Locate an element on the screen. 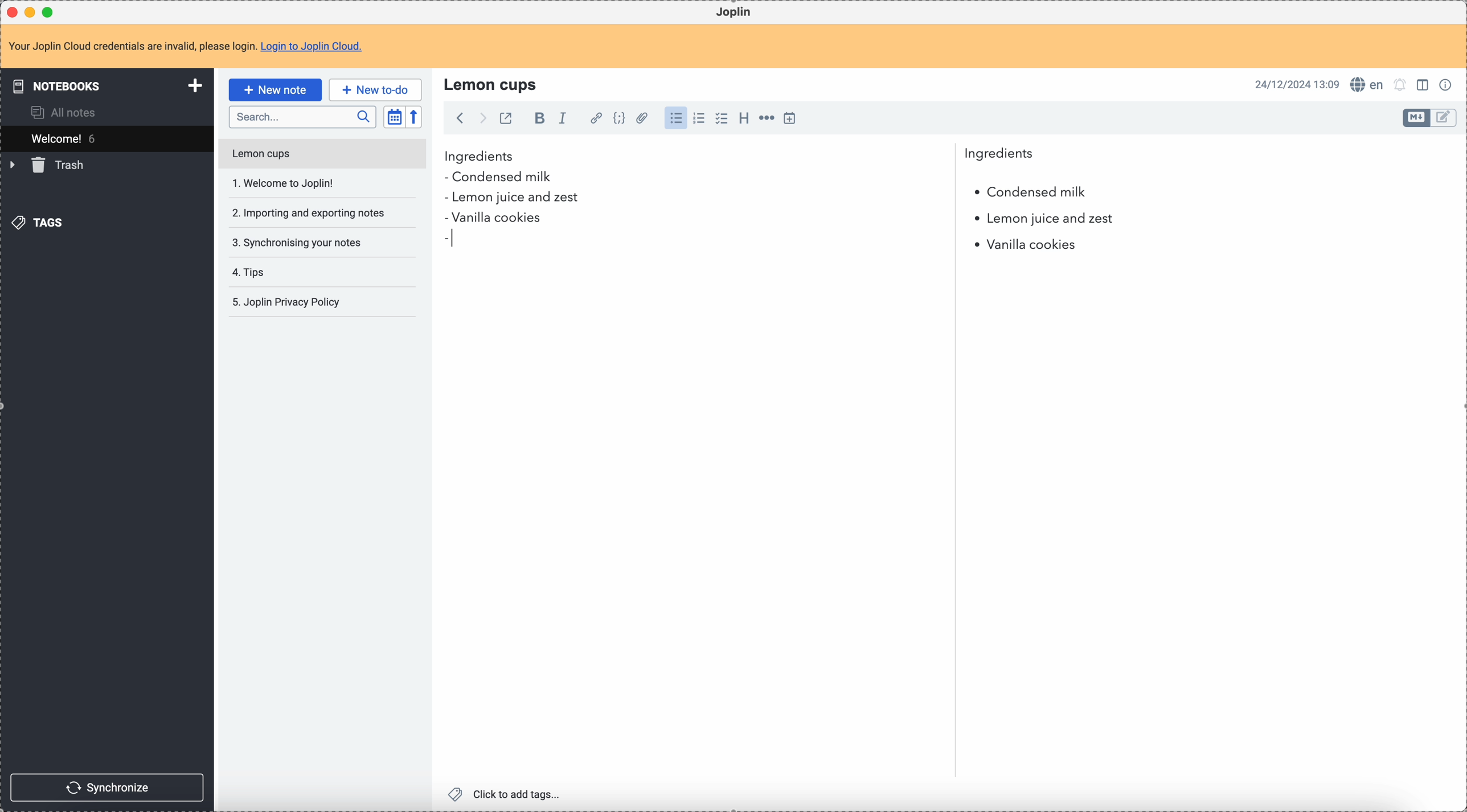 Image resolution: width=1467 pixels, height=812 pixels. vanilla cookies is located at coordinates (493, 219).